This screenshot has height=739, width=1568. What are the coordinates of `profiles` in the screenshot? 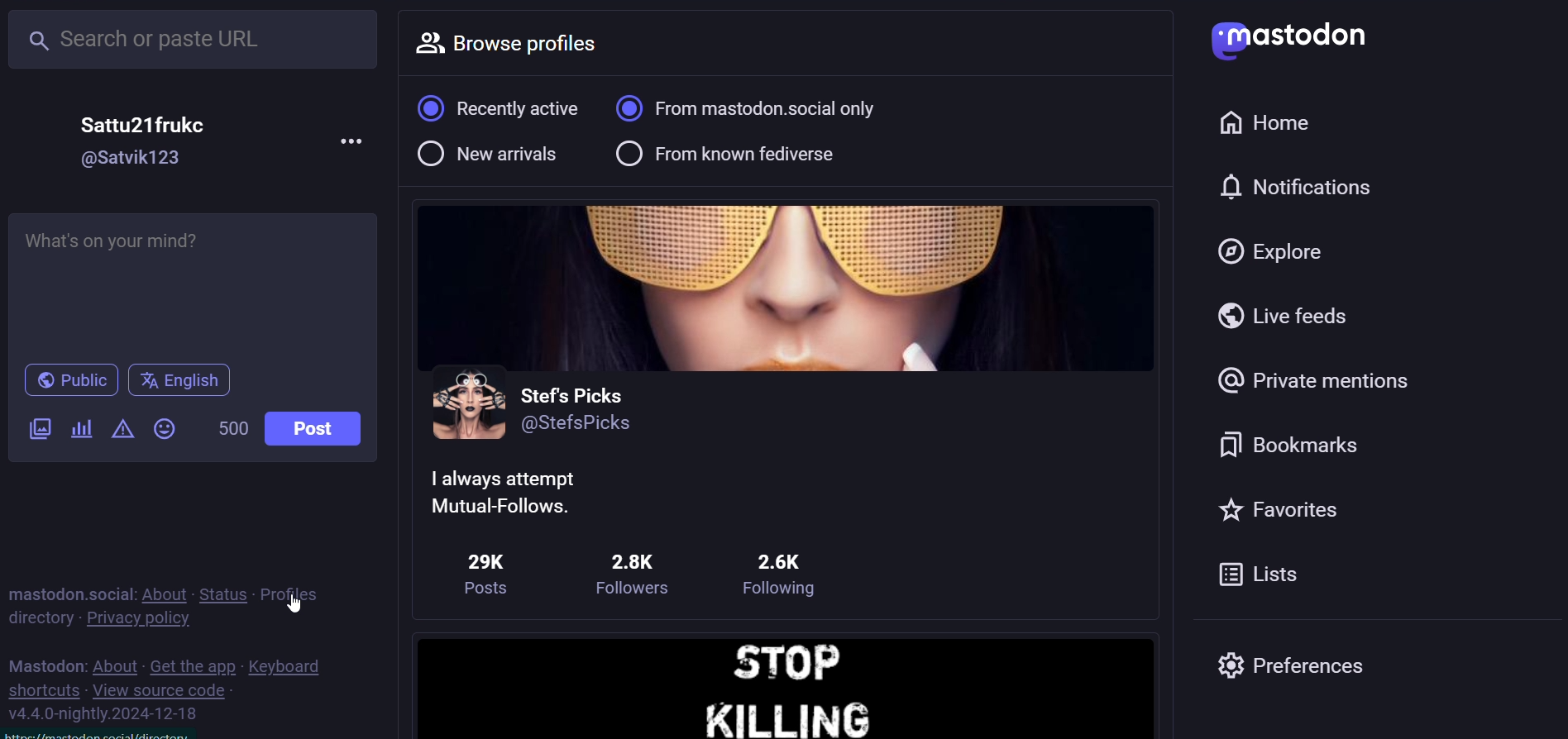 It's located at (295, 594).